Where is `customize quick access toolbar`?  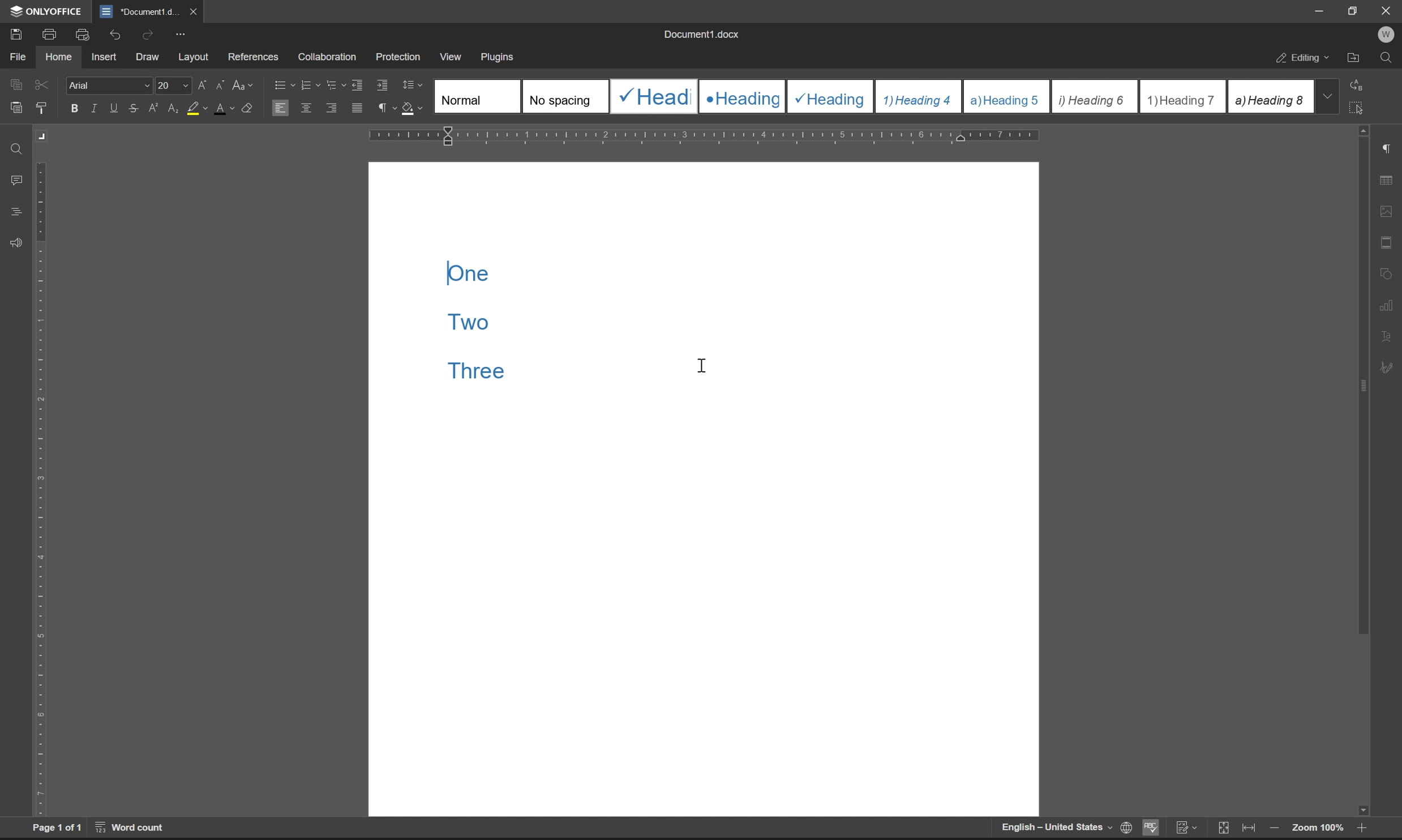 customize quick access toolbar is located at coordinates (180, 35).